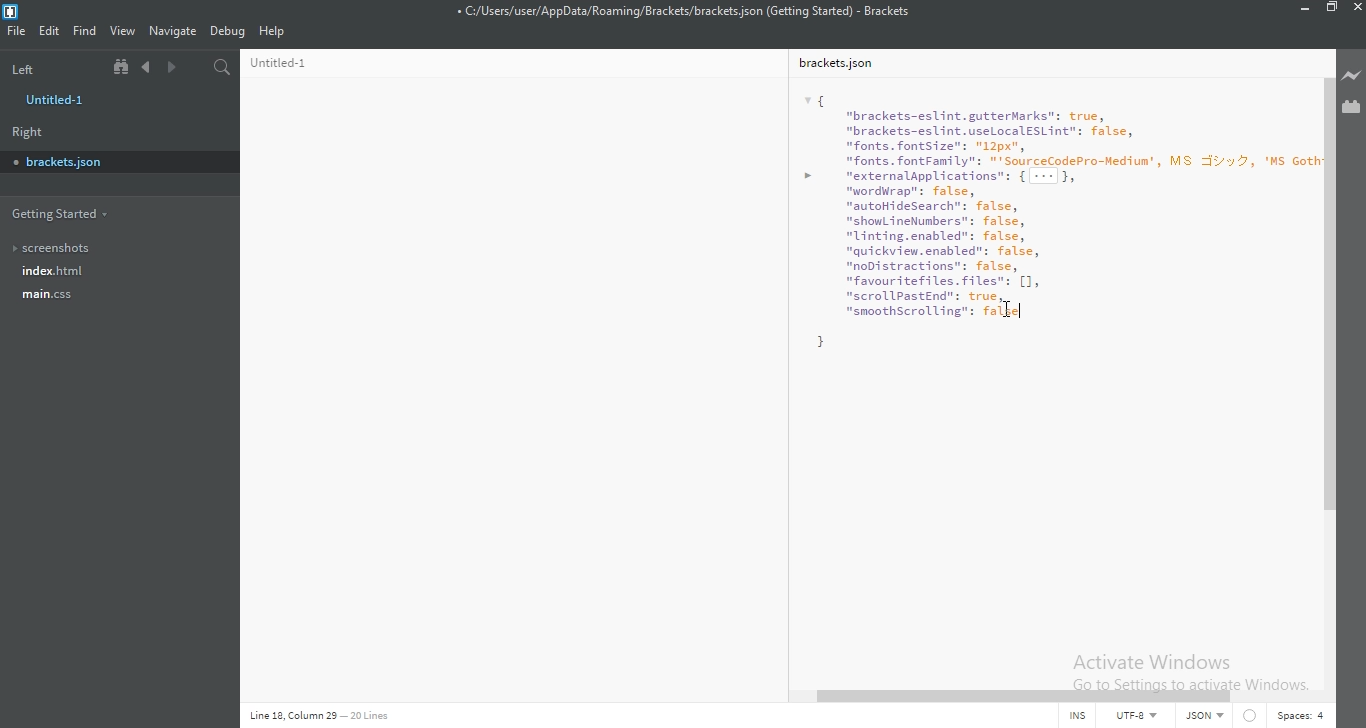  I want to click on Next document, so click(172, 69).